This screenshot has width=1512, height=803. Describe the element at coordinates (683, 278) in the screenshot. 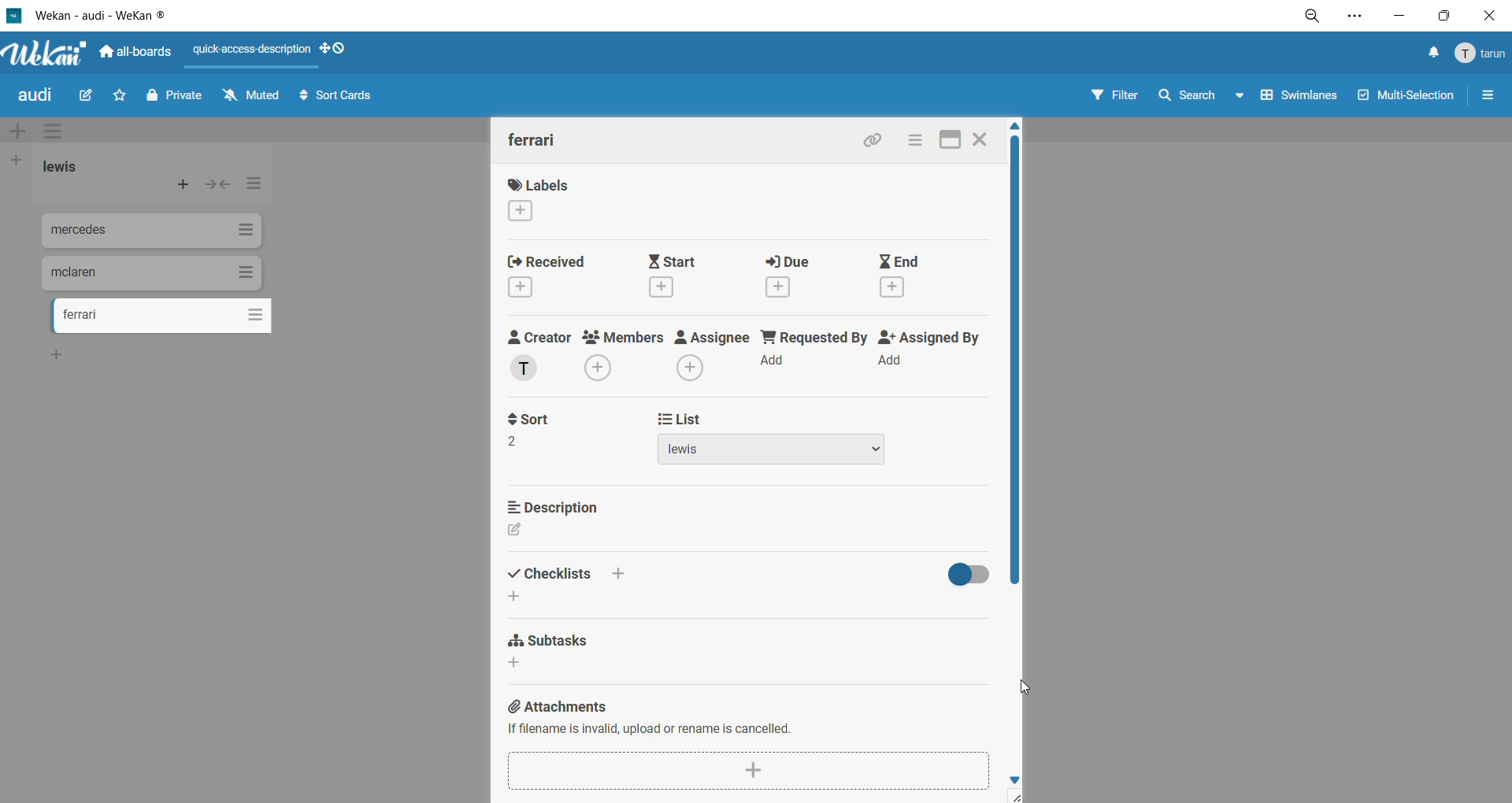

I see `start` at that location.